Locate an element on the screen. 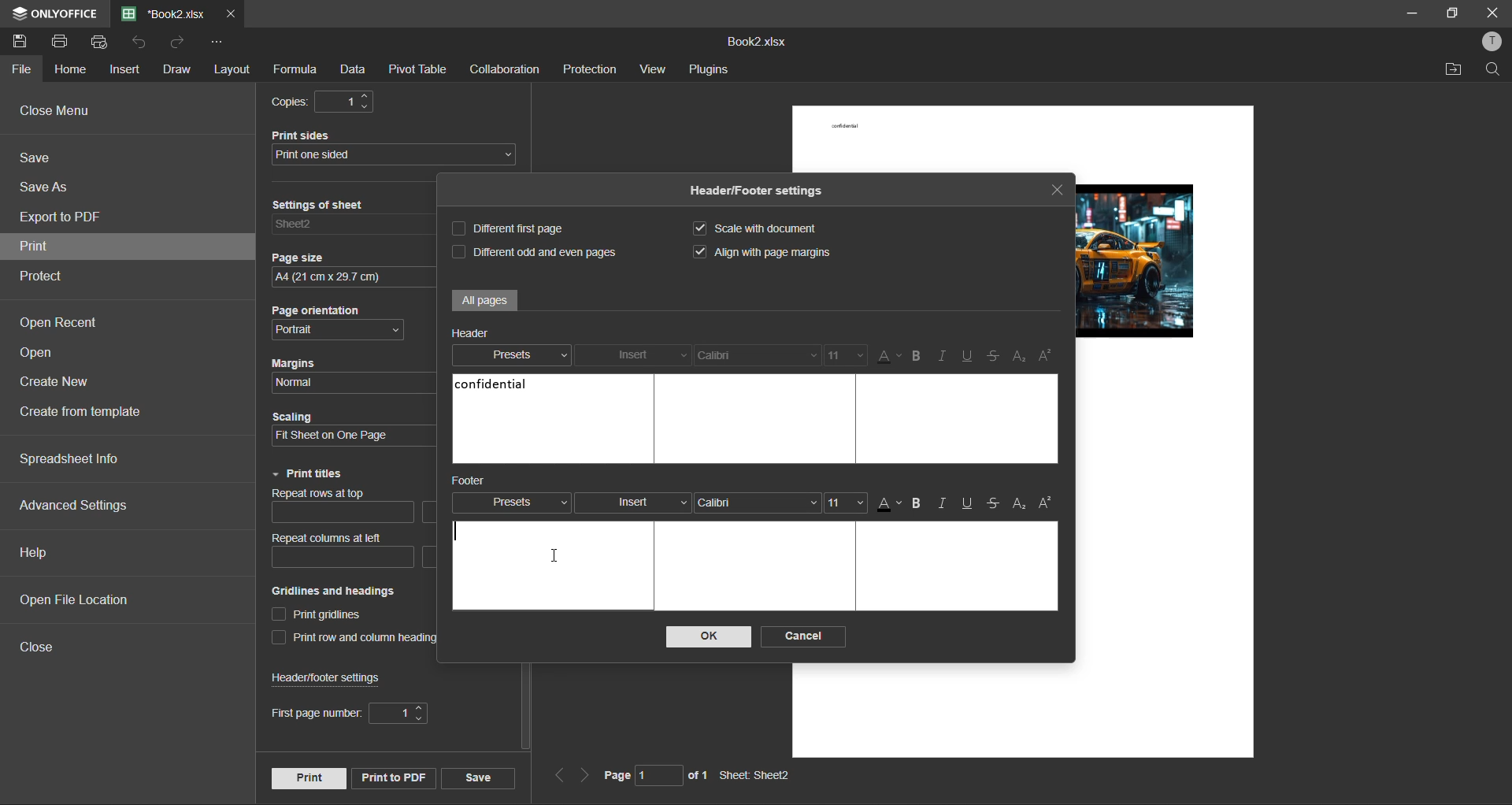 This screenshot has width=1512, height=805. superscript is located at coordinates (1049, 355).